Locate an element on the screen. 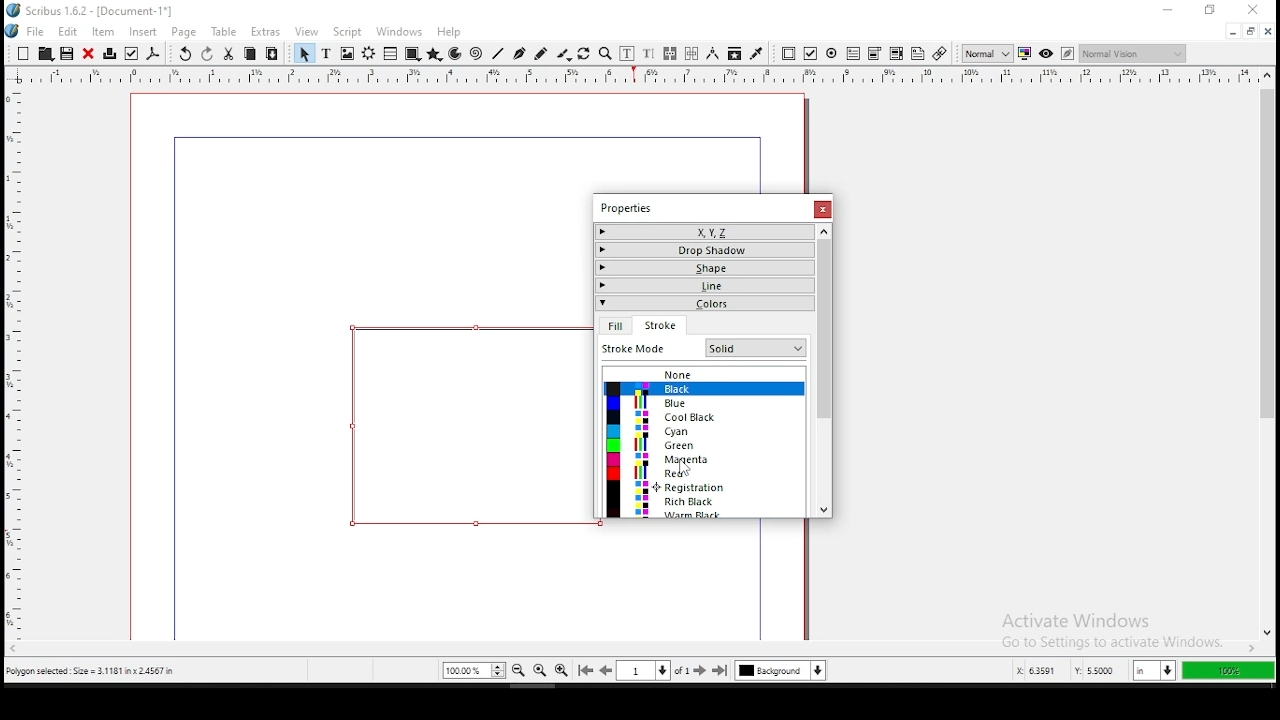  pdf radio button is located at coordinates (832, 53).